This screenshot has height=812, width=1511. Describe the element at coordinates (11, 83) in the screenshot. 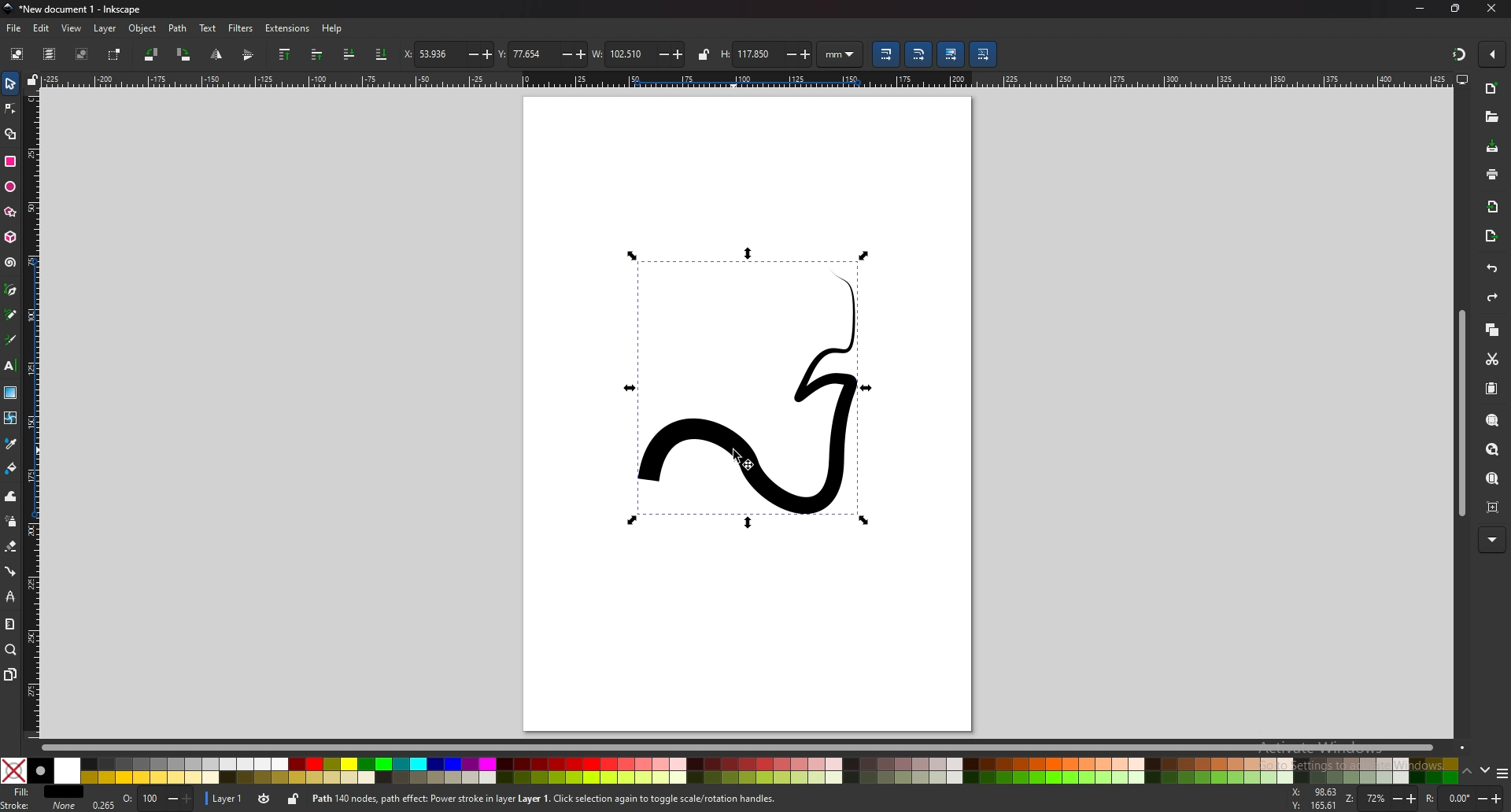

I see `selector` at that location.